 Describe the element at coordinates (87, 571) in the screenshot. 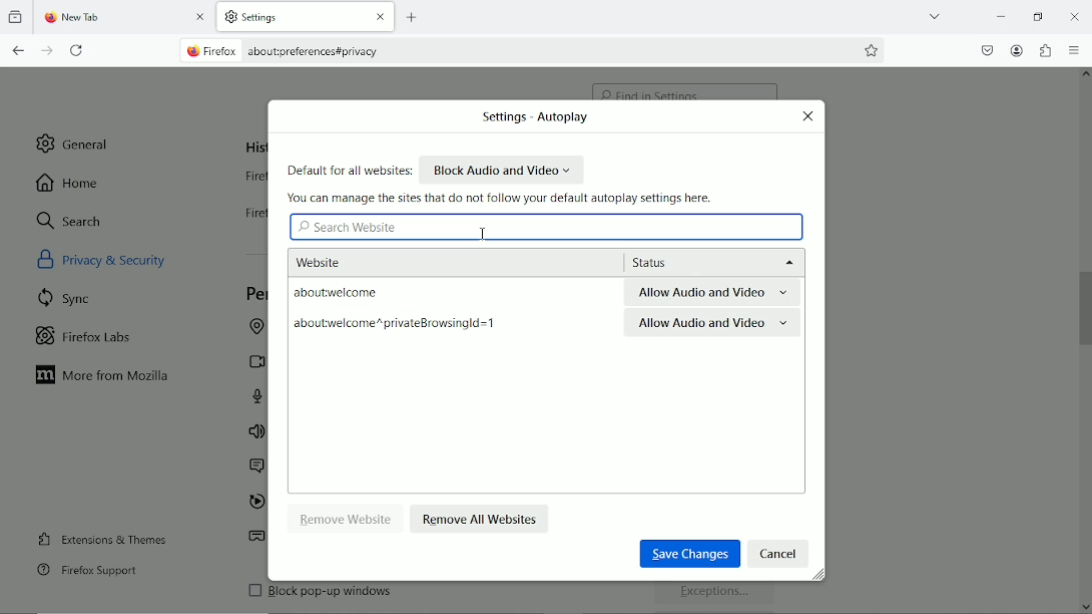

I see `firefox support` at that location.